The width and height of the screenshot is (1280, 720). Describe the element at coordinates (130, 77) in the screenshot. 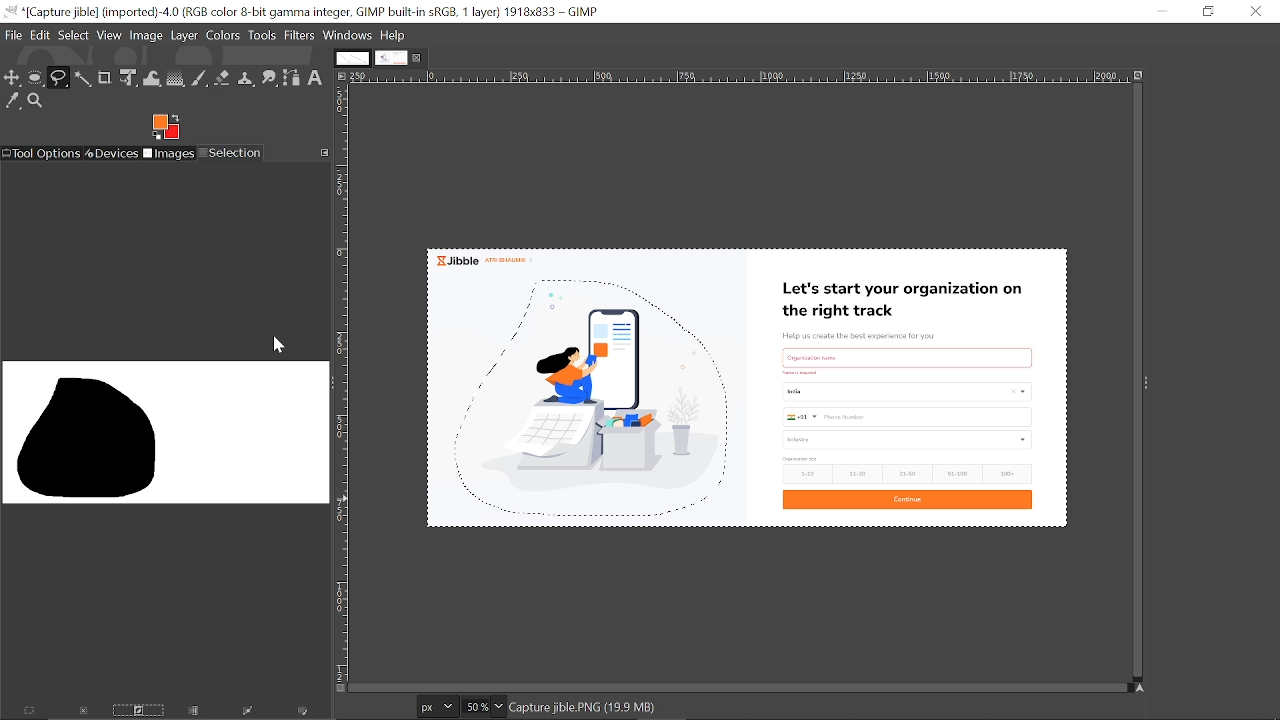

I see `Unified transform tool` at that location.